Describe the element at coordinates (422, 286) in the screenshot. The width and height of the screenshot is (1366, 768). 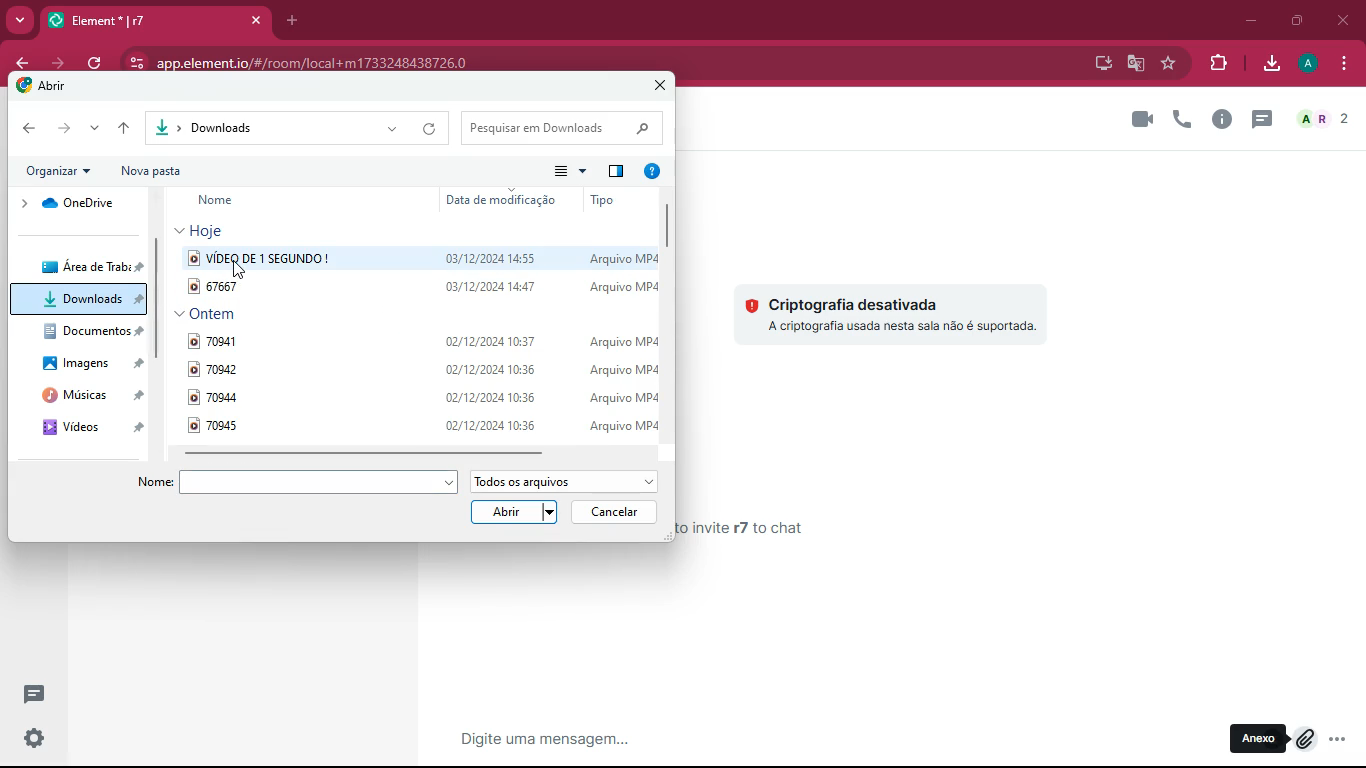
I see `67667 03/12/2024 arquivo mp4` at that location.